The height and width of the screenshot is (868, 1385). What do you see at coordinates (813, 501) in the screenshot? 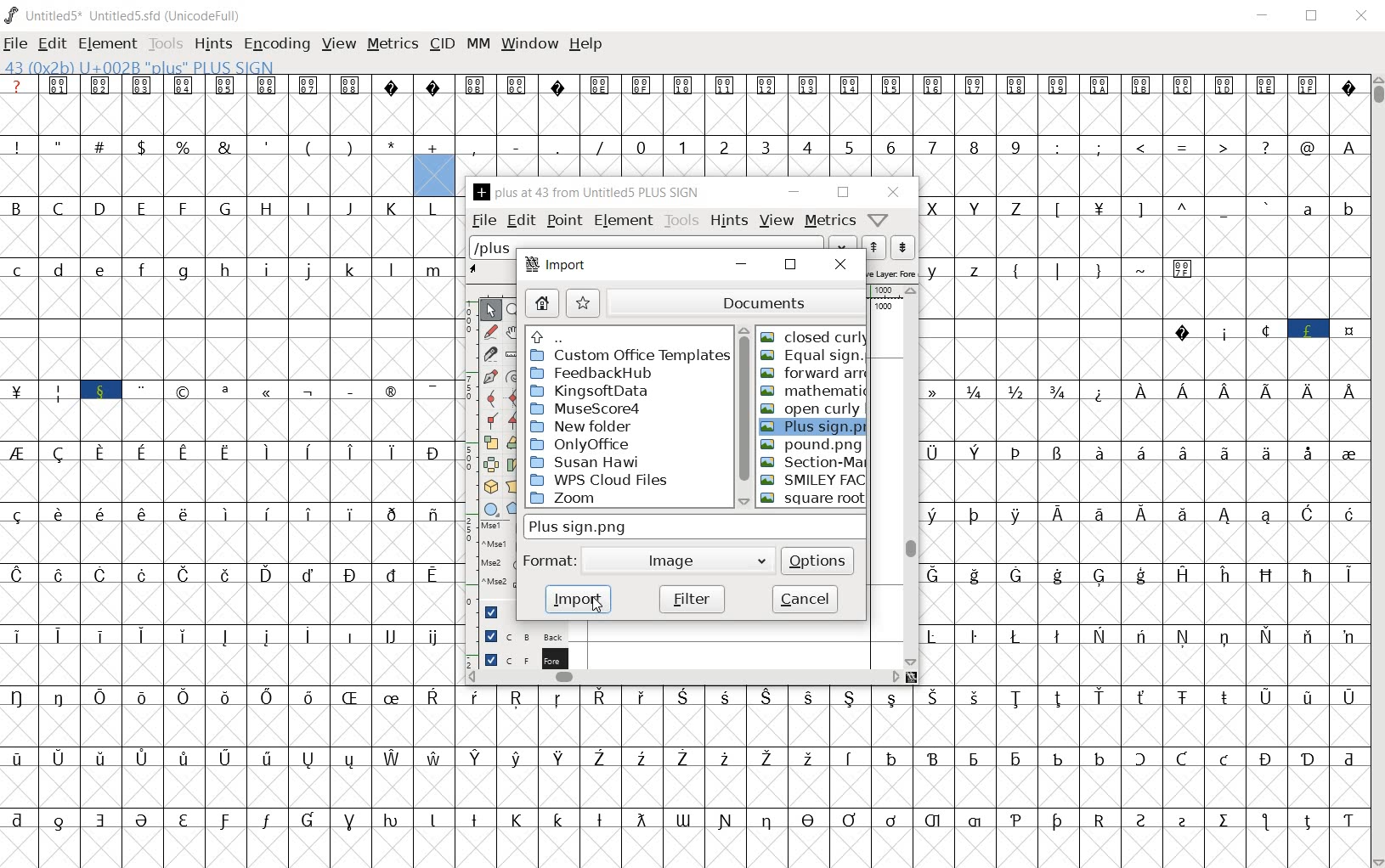
I see `SQUARE ROOT` at bounding box center [813, 501].